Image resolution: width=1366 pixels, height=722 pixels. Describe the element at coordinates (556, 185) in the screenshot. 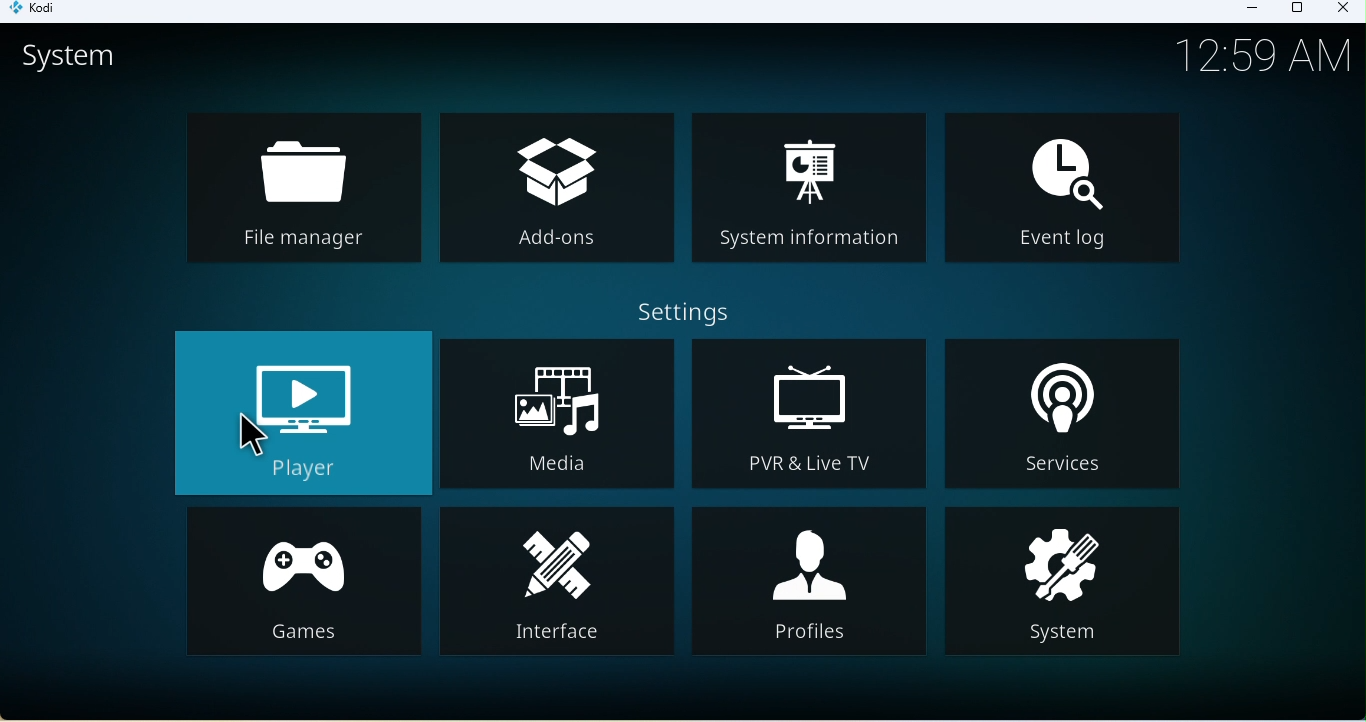

I see `Add ons` at that location.